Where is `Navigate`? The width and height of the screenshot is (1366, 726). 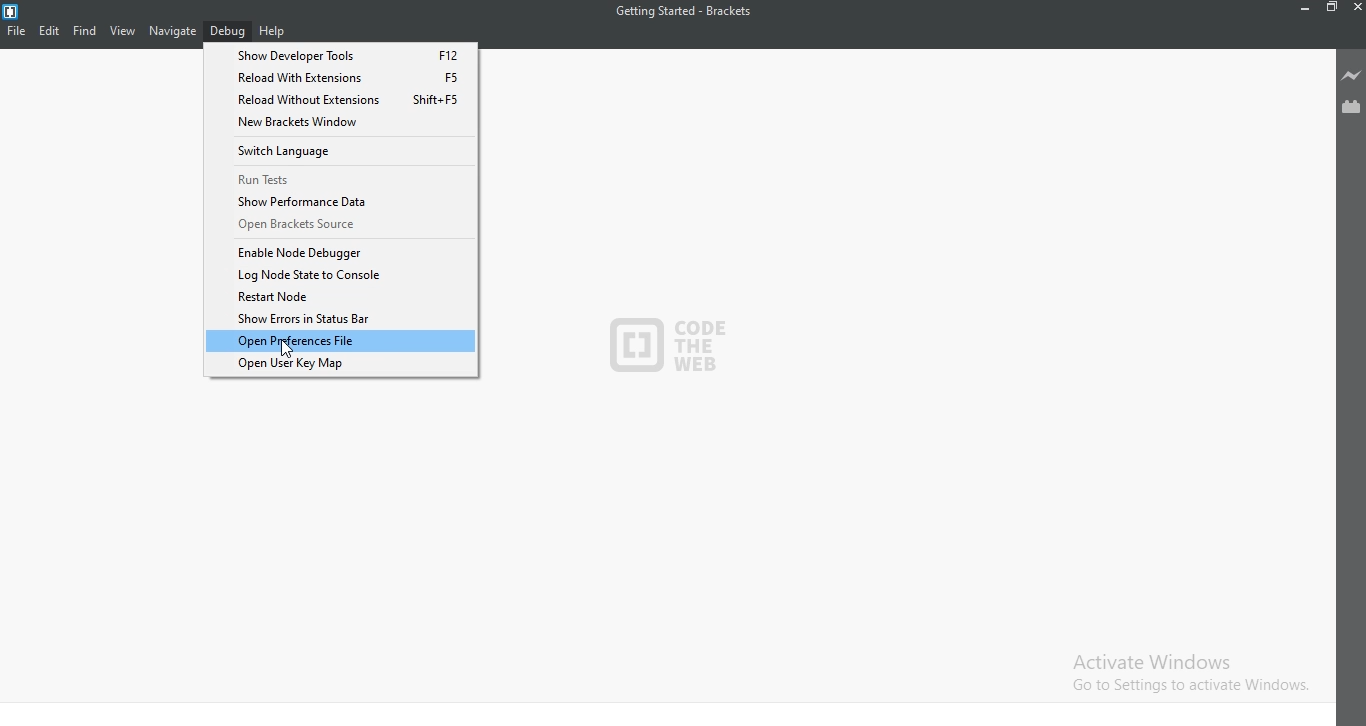 Navigate is located at coordinates (174, 30).